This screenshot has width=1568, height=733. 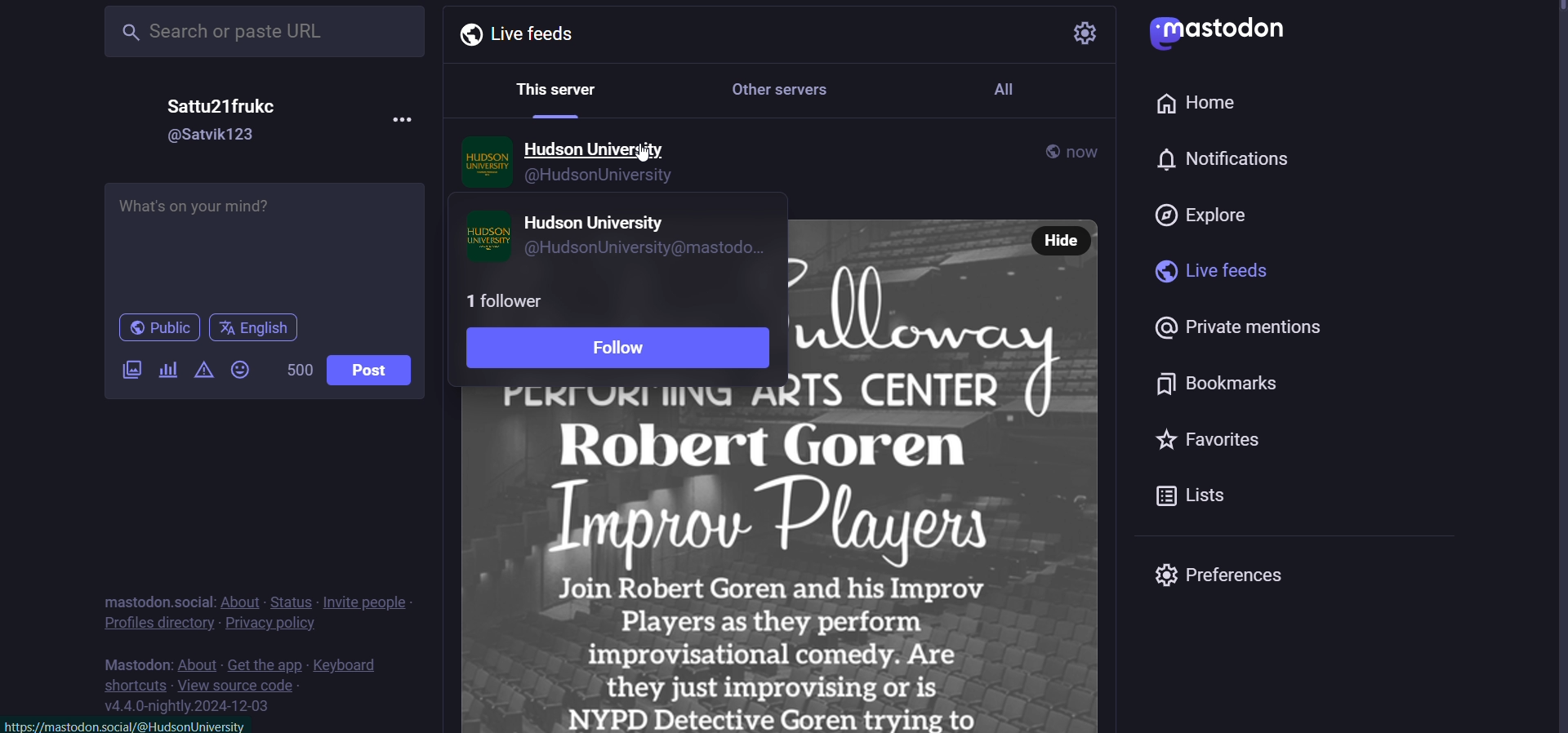 What do you see at coordinates (484, 164) in the screenshot?
I see `profile picture` at bounding box center [484, 164].